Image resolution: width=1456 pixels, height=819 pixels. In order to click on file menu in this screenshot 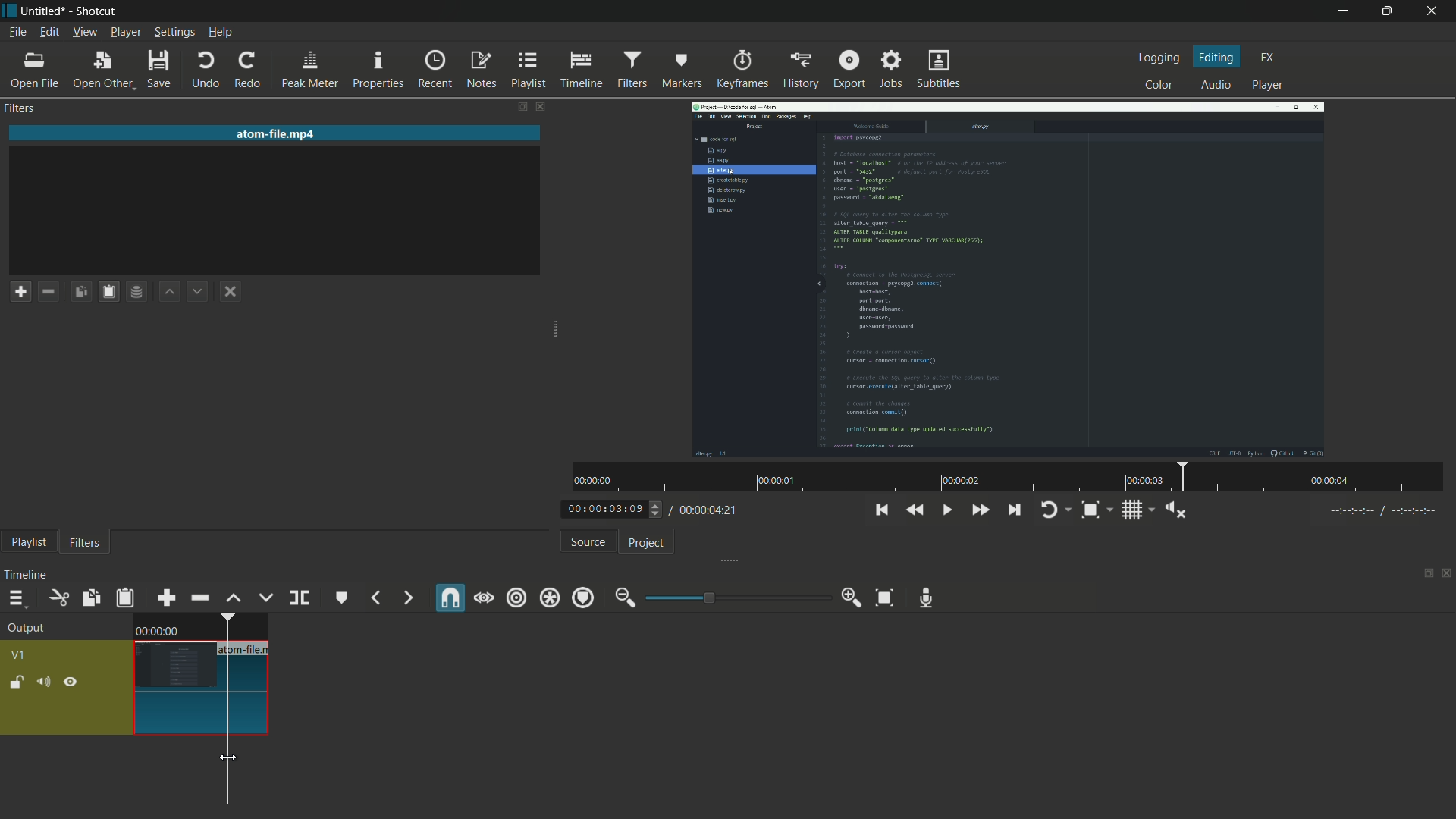, I will do `click(18, 33)`.